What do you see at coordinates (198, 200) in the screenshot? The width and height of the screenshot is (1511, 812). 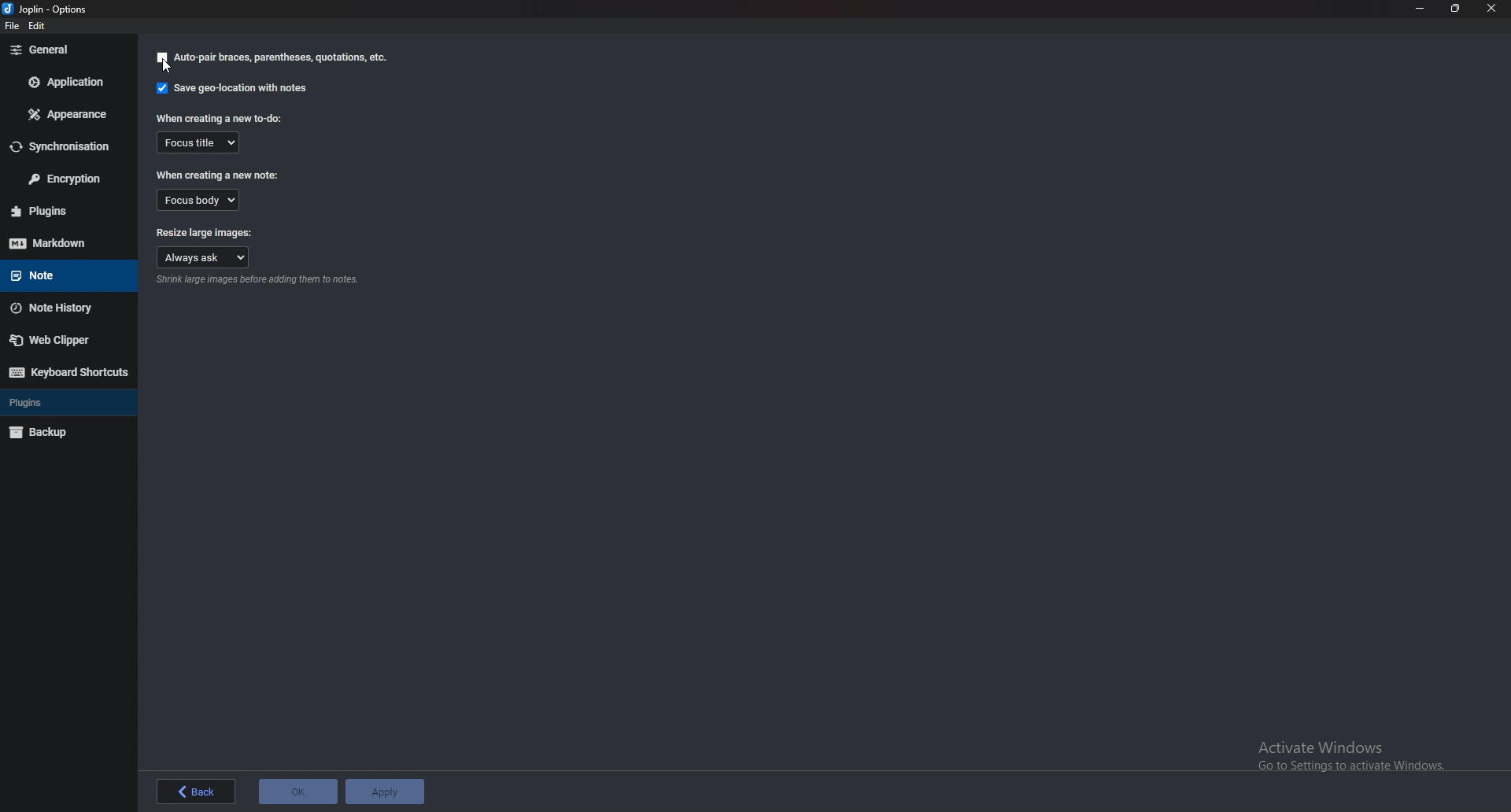 I see `Focus body` at bounding box center [198, 200].